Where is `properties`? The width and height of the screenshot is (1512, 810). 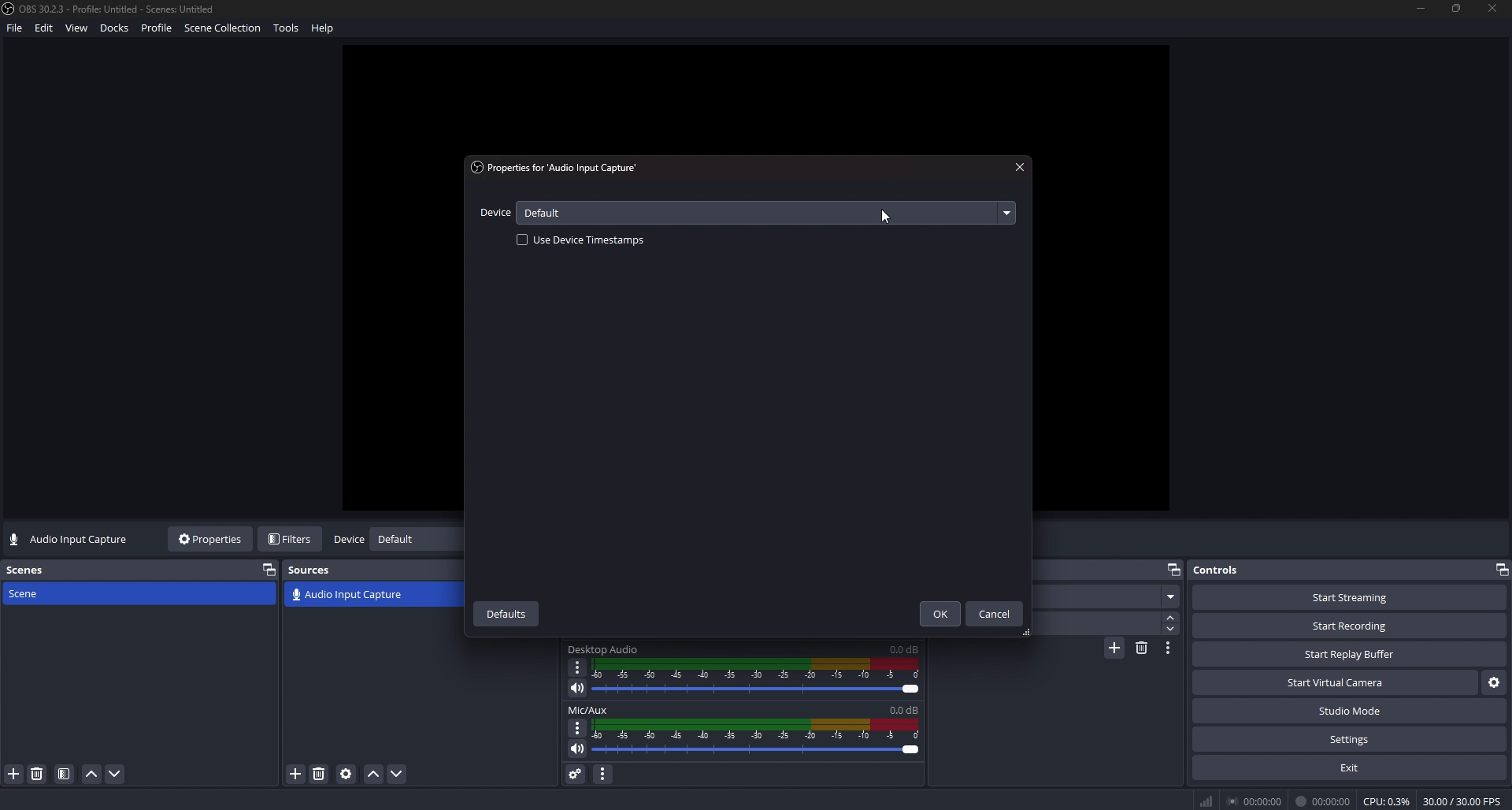 properties is located at coordinates (561, 168).